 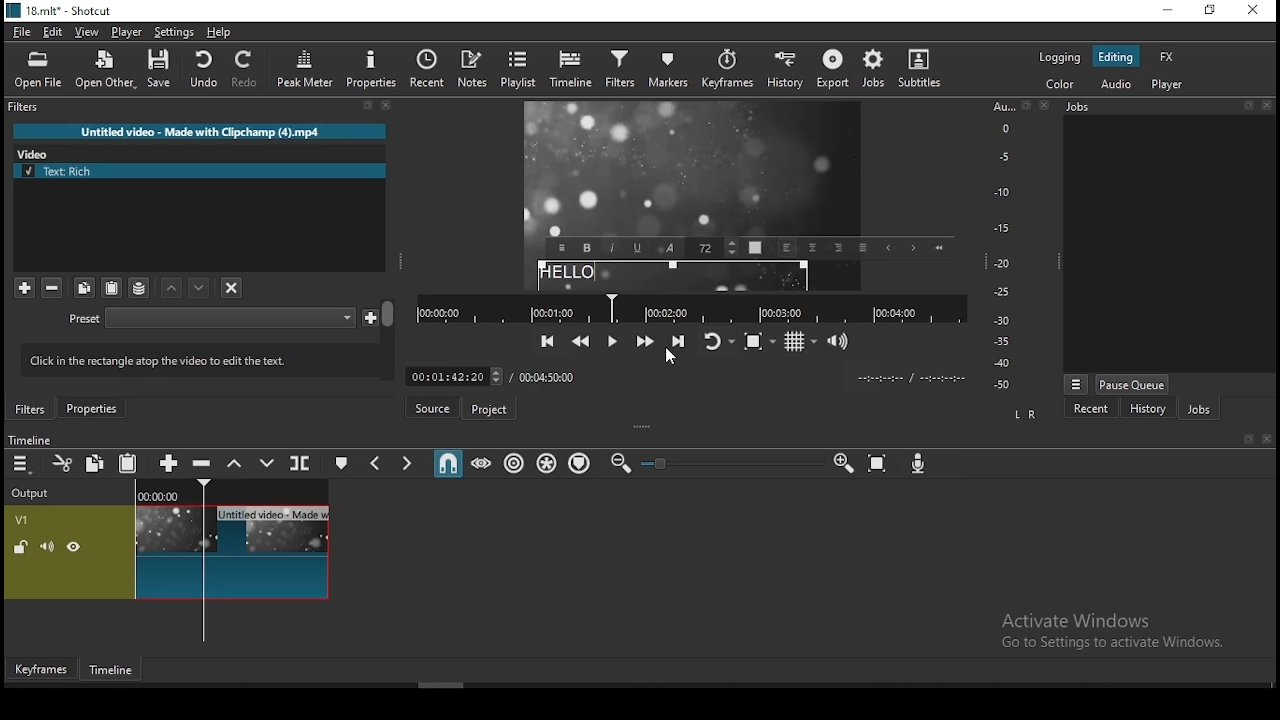 I want to click on ripple all tracks, so click(x=547, y=463).